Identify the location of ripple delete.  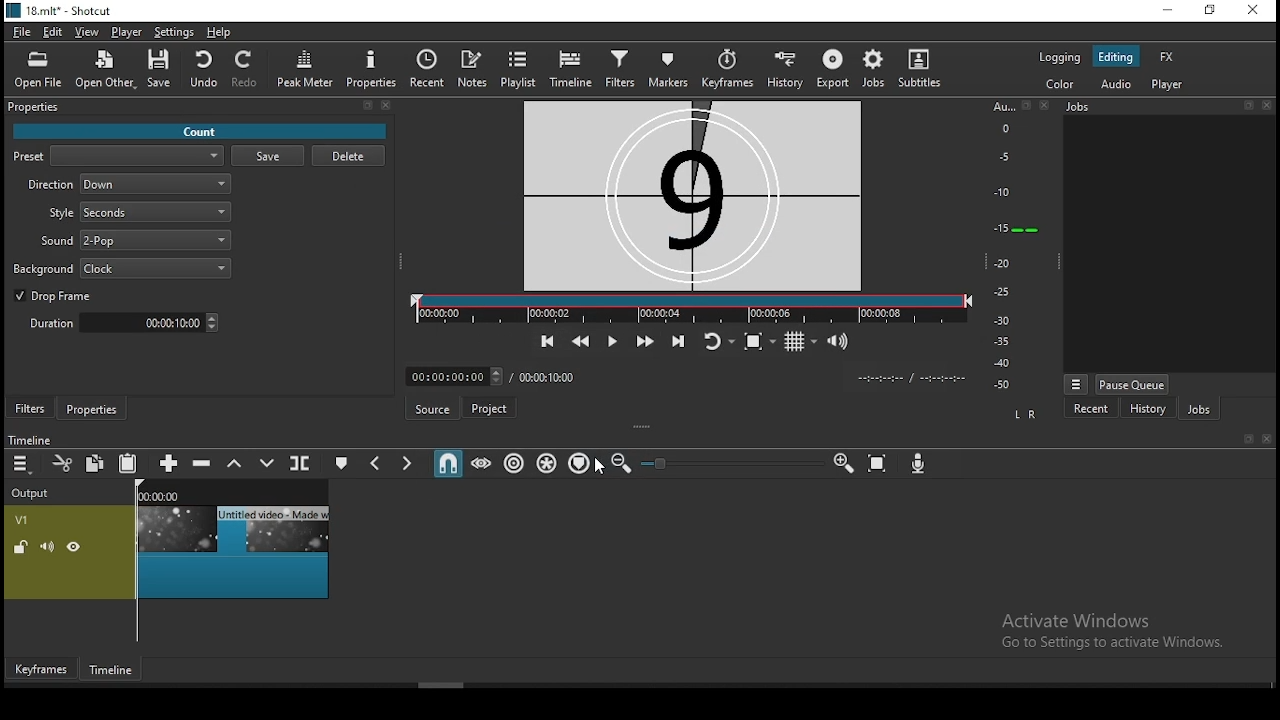
(203, 465).